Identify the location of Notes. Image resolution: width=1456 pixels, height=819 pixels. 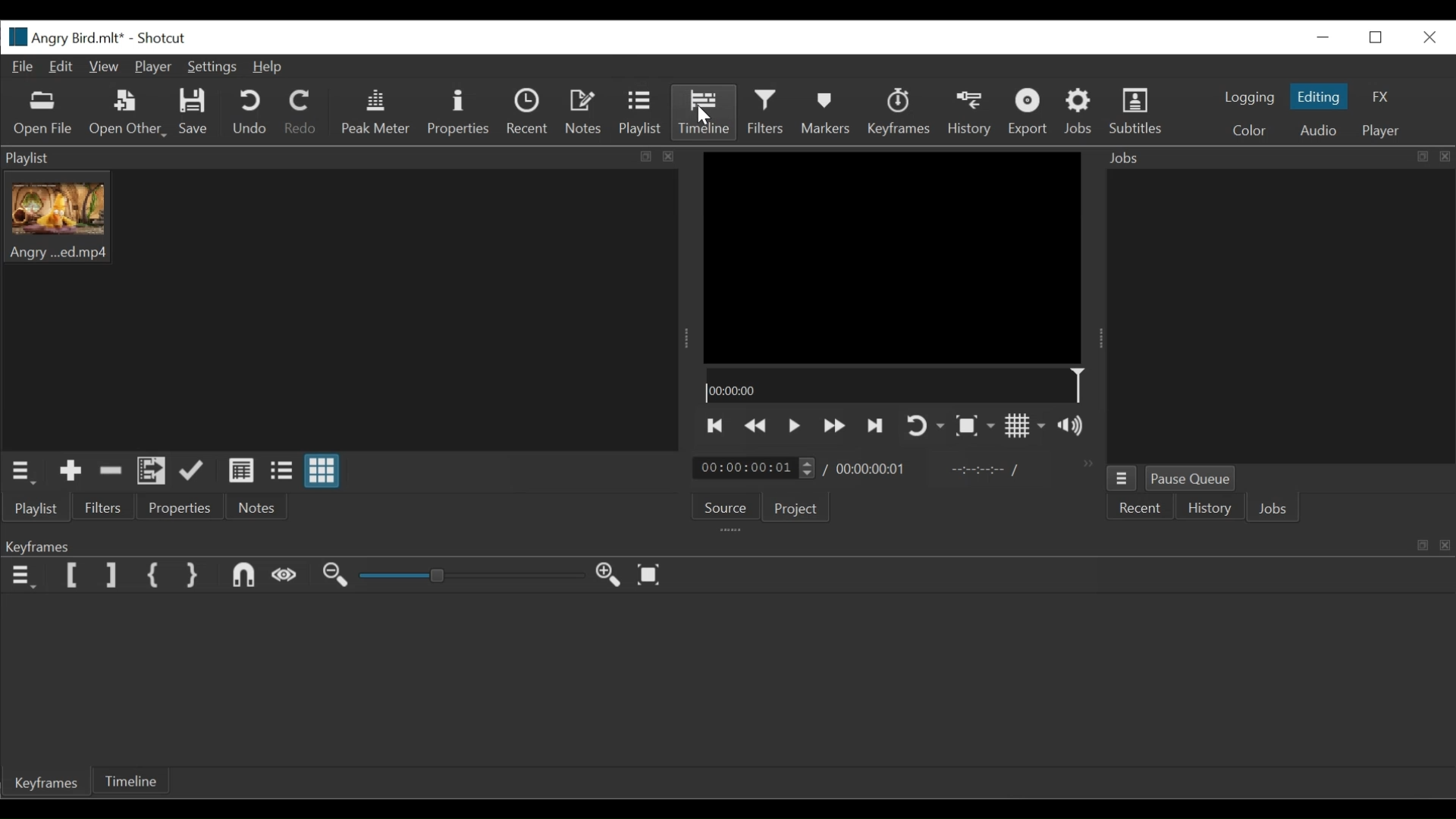
(254, 509).